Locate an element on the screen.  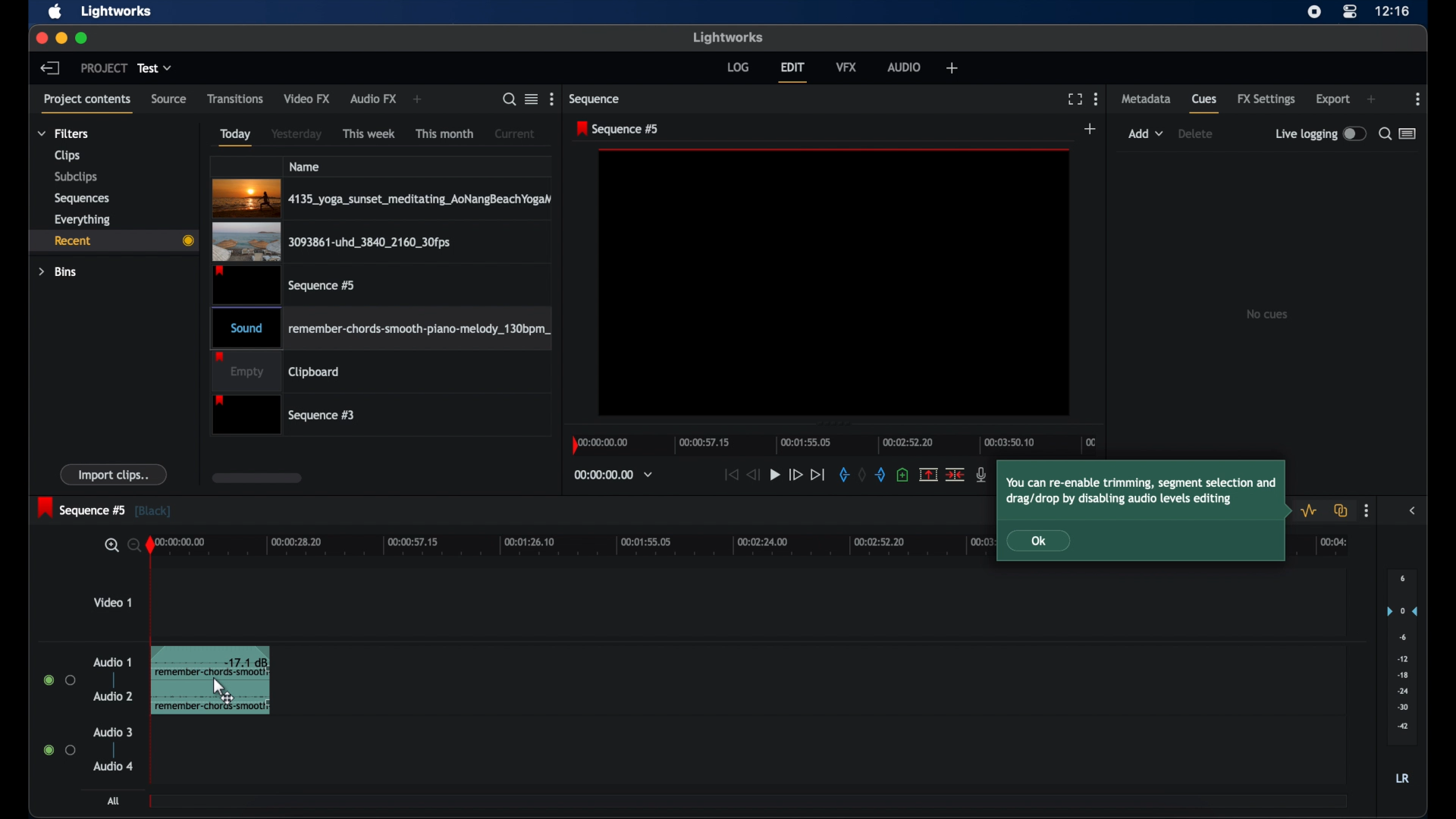
import clips is located at coordinates (114, 474).